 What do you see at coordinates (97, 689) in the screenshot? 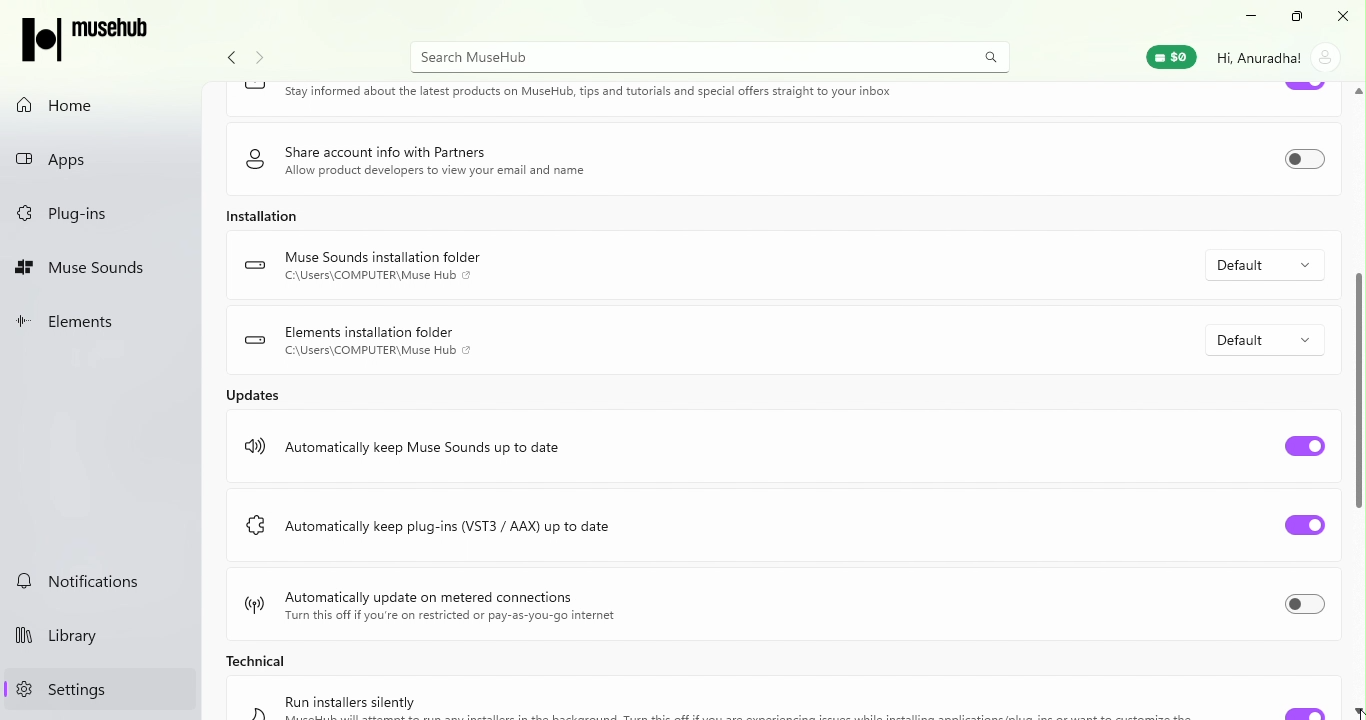
I see `Settings` at bounding box center [97, 689].